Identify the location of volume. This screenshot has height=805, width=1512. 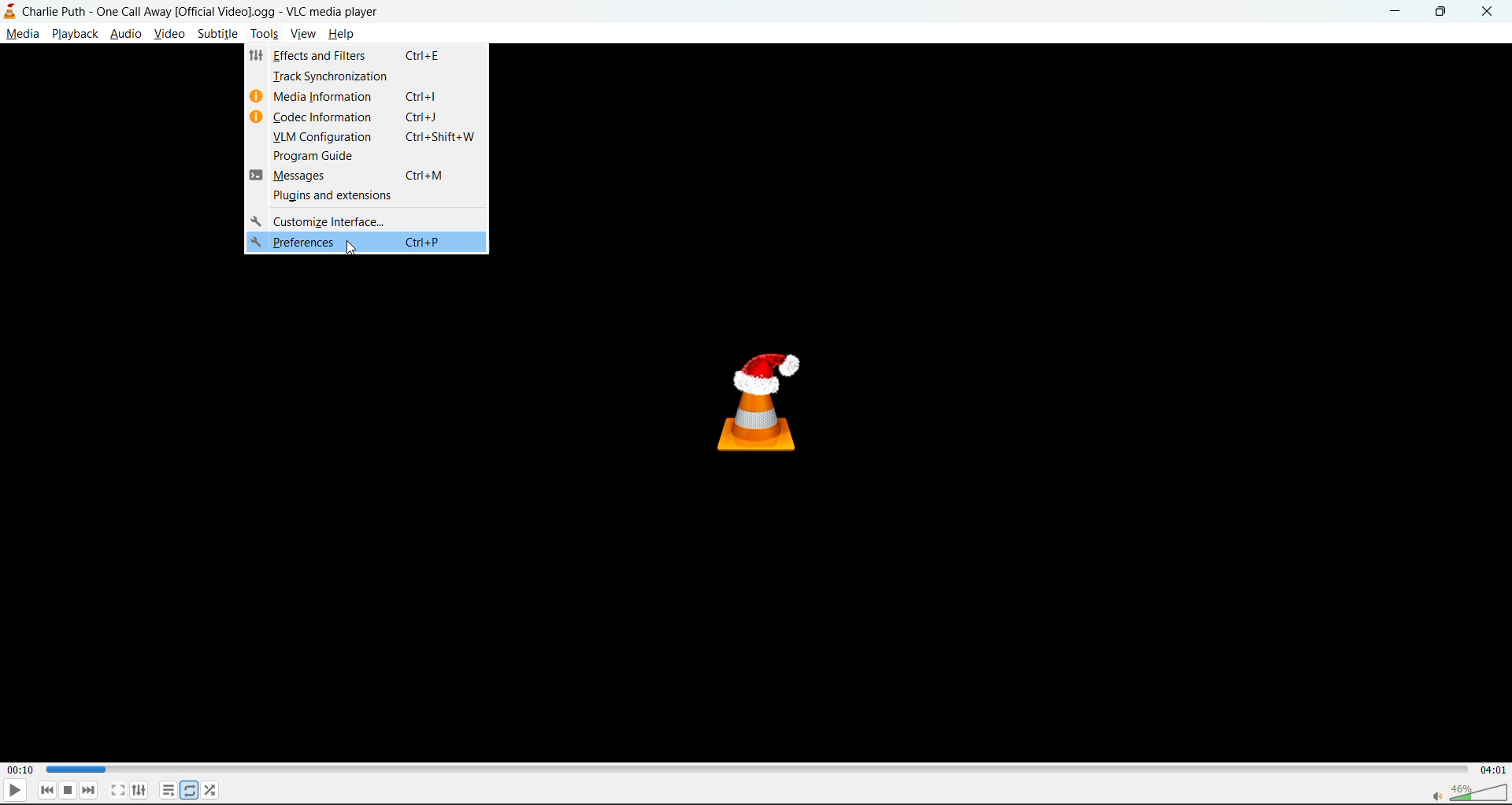
(1465, 791).